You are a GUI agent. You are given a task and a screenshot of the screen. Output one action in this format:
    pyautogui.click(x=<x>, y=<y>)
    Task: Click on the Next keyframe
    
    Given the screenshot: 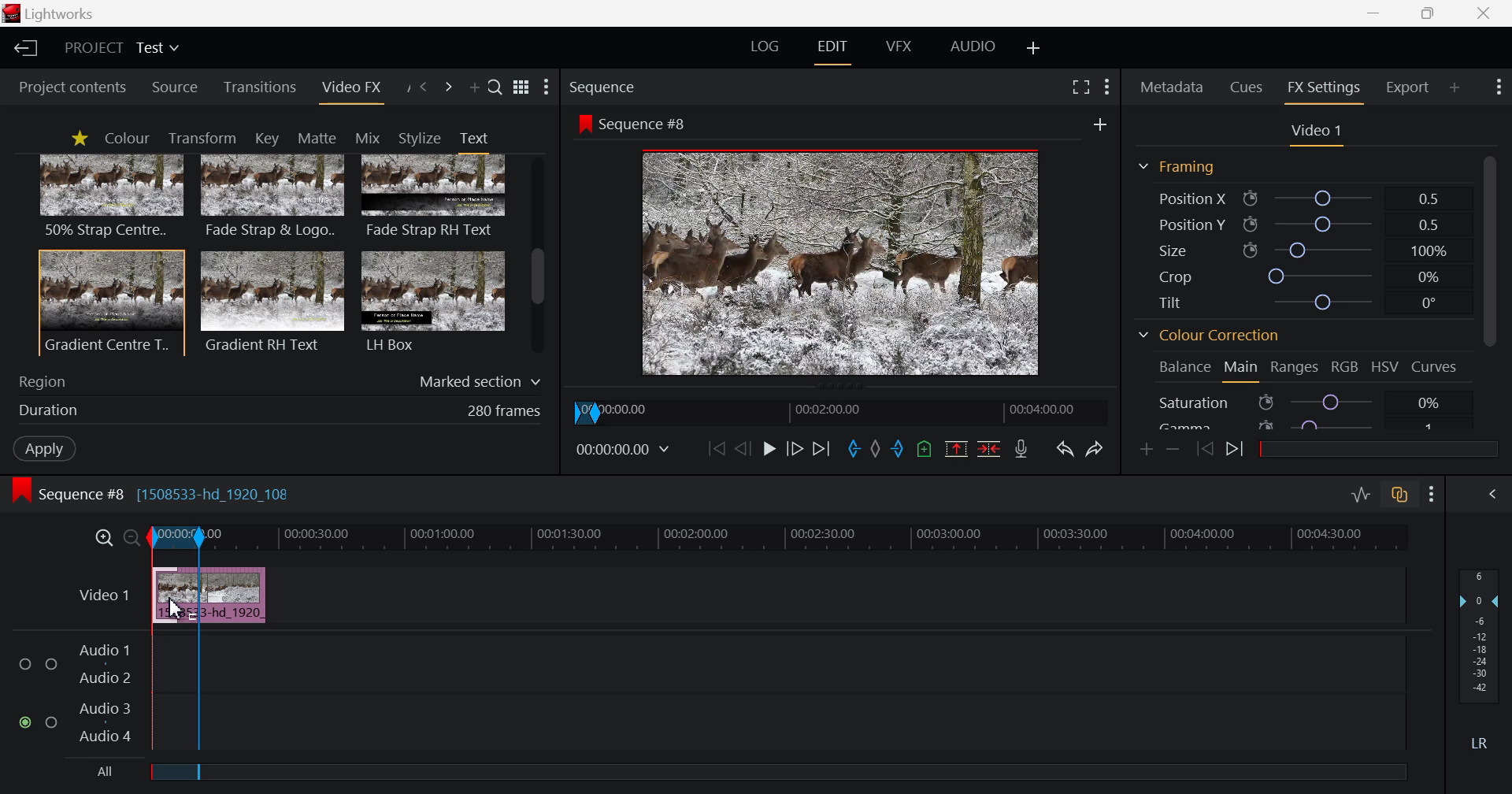 What is the action you would take?
    pyautogui.click(x=1237, y=450)
    